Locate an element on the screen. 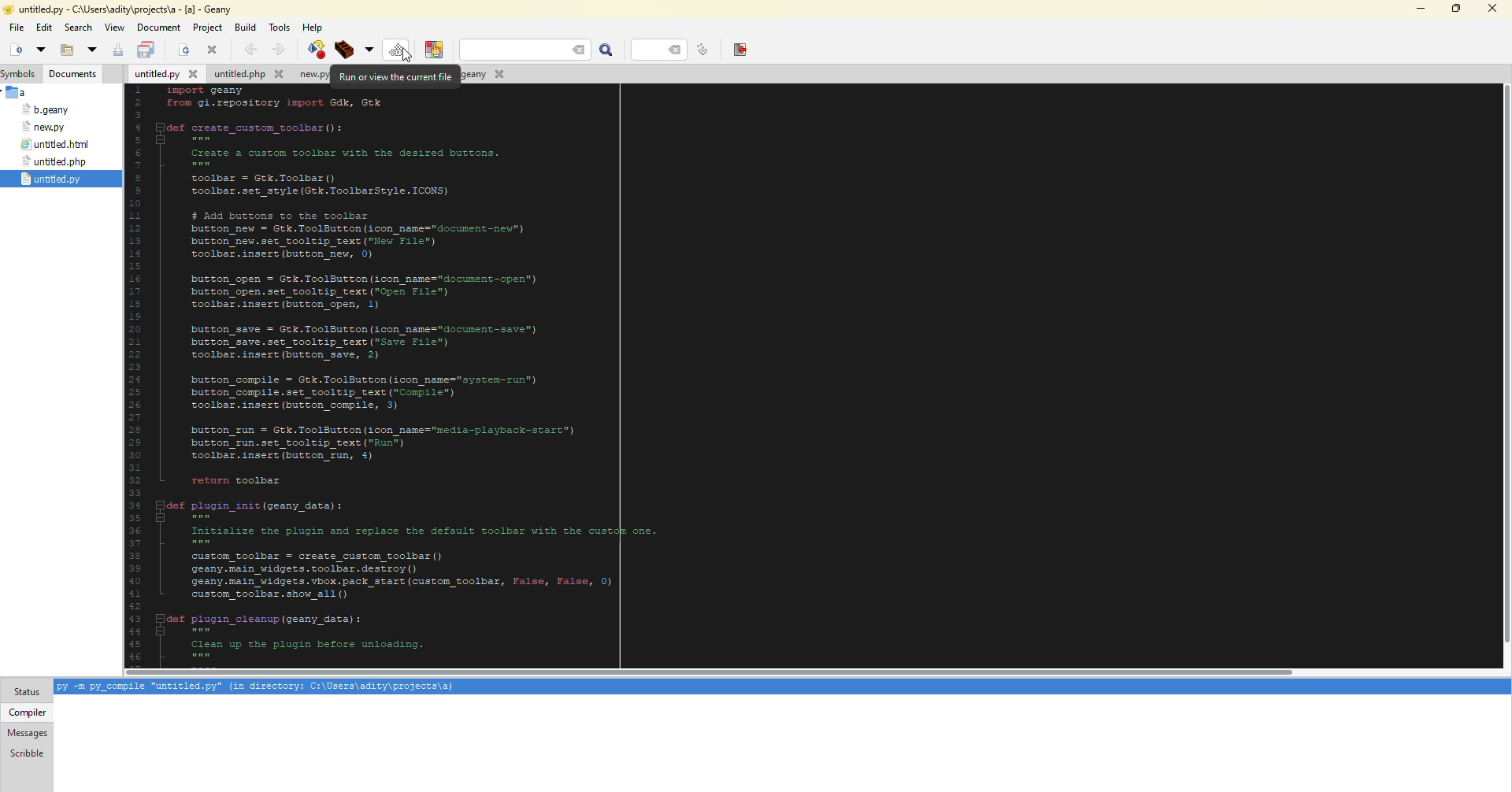 This screenshot has width=1512, height=792. info is located at coordinates (264, 687).